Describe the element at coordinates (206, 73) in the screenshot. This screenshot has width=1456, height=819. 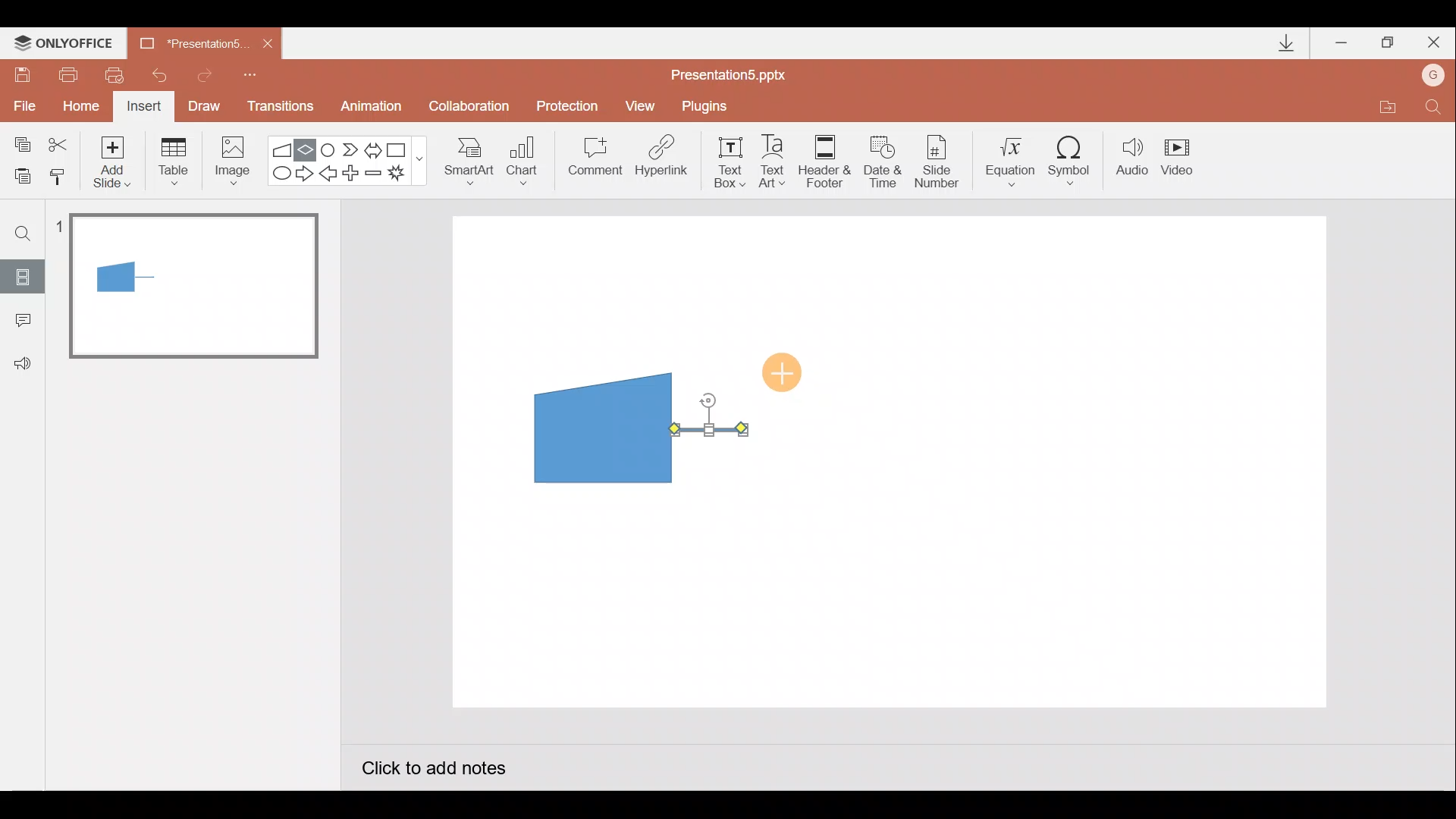
I see `Redo` at that location.